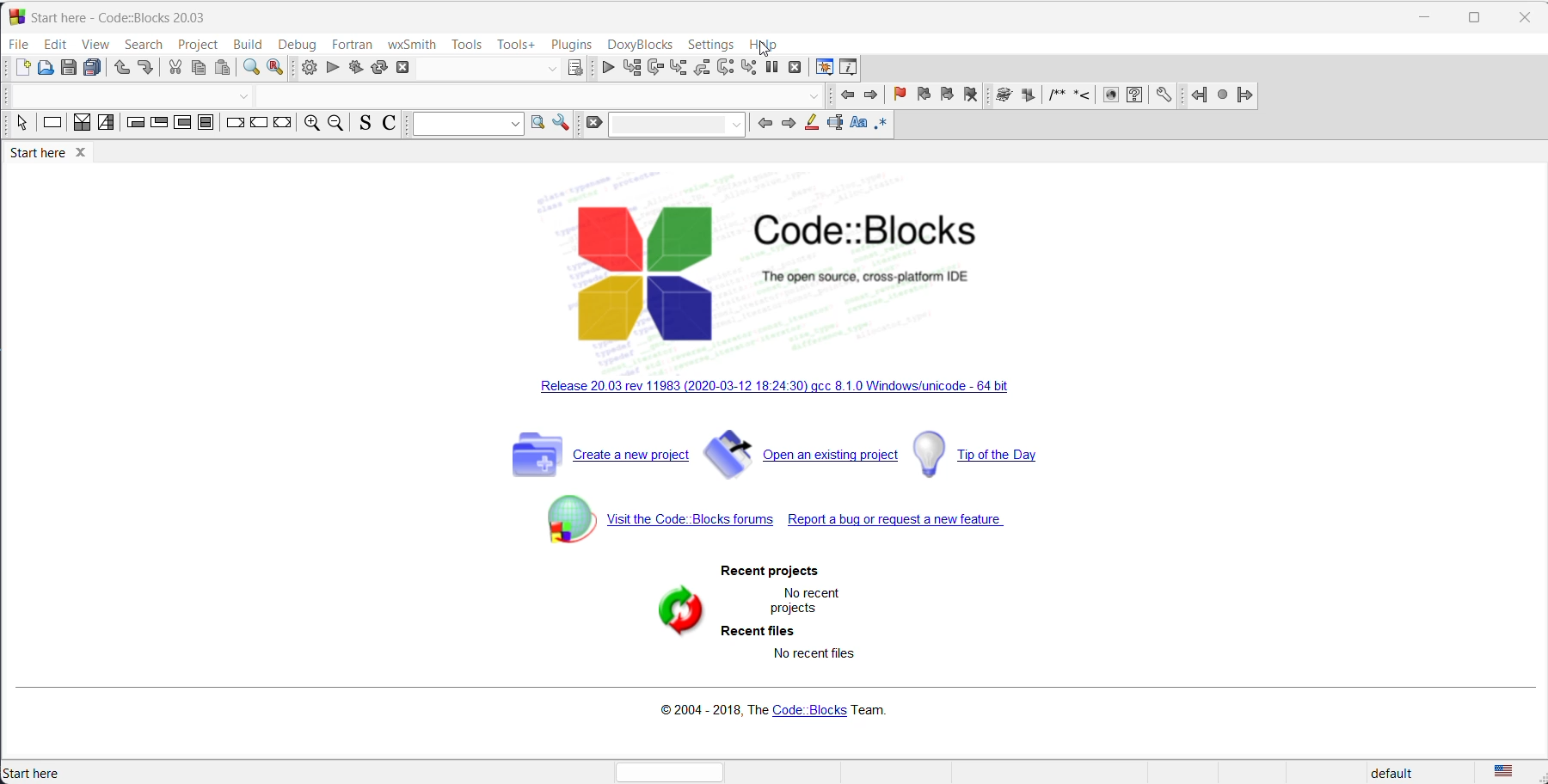 The width and height of the screenshot is (1548, 784). Describe the element at coordinates (251, 68) in the screenshot. I see `find` at that location.